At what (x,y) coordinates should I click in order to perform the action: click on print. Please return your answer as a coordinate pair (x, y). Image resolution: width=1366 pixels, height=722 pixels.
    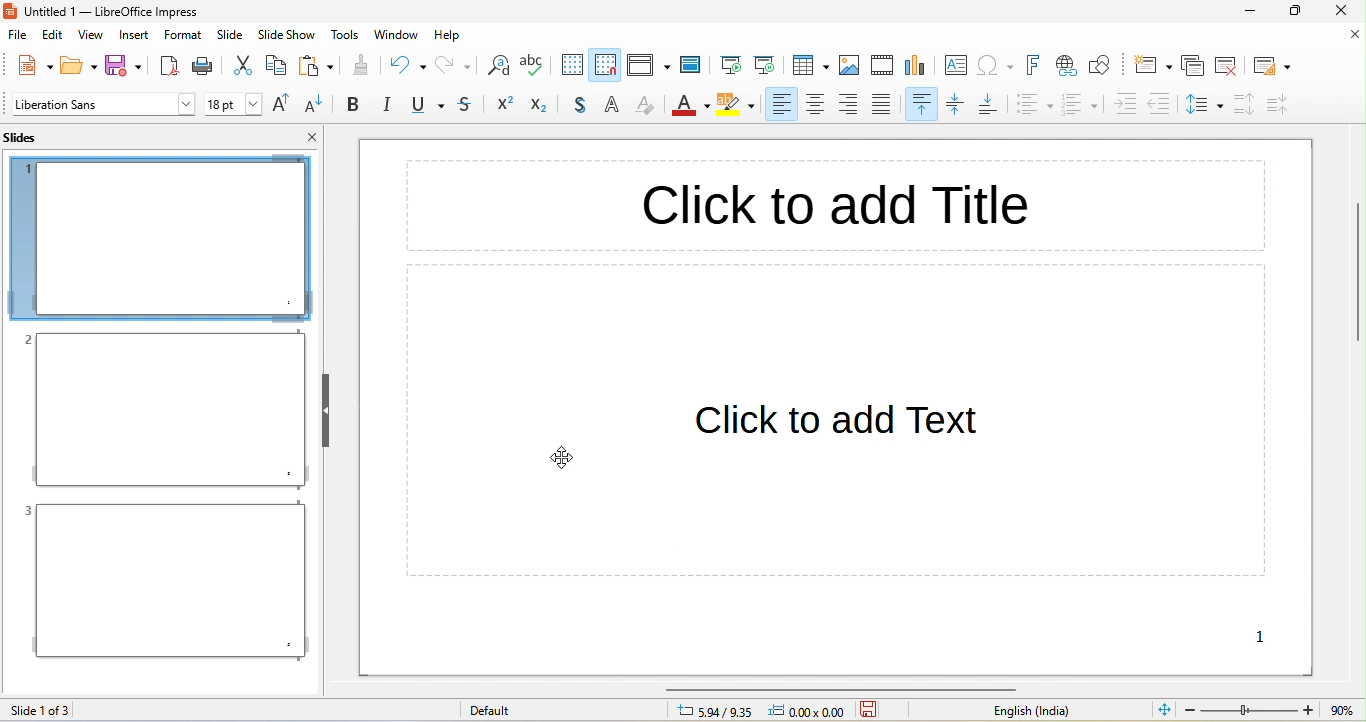
    Looking at the image, I should click on (205, 65).